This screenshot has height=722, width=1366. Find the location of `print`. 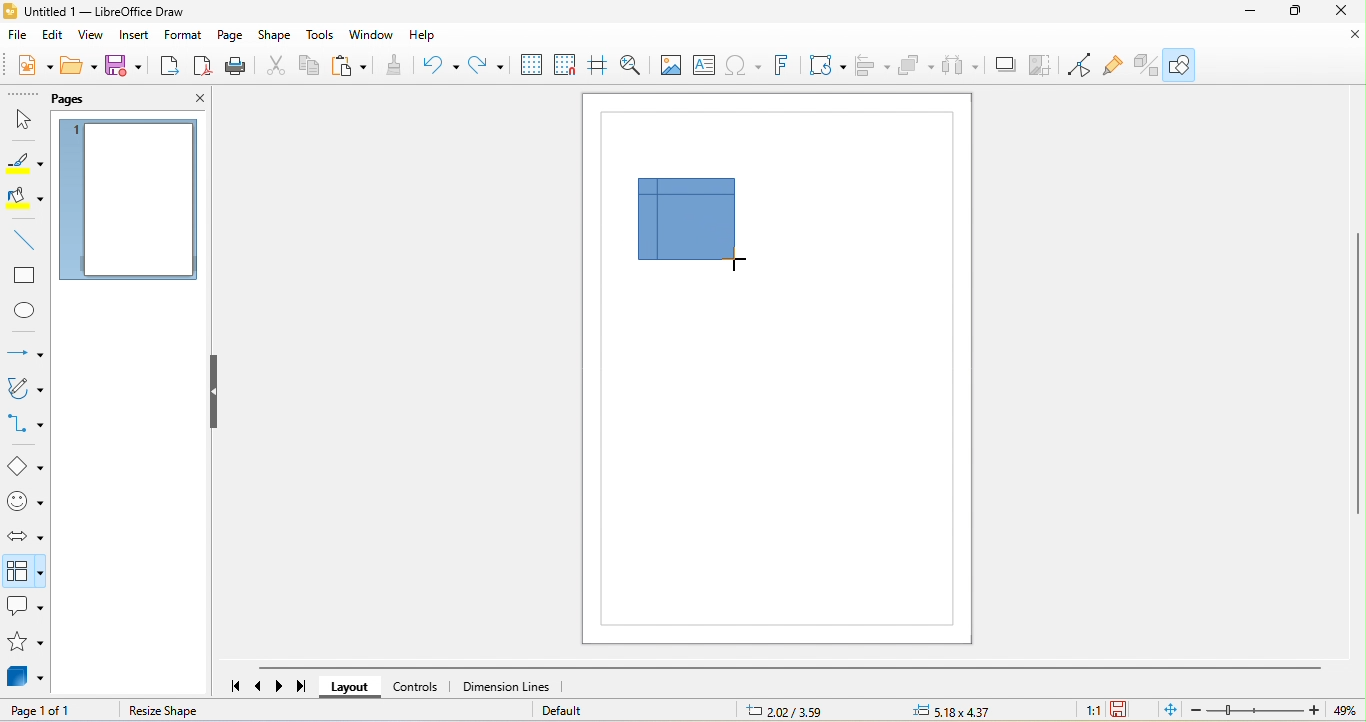

print is located at coordinates (240, 68).